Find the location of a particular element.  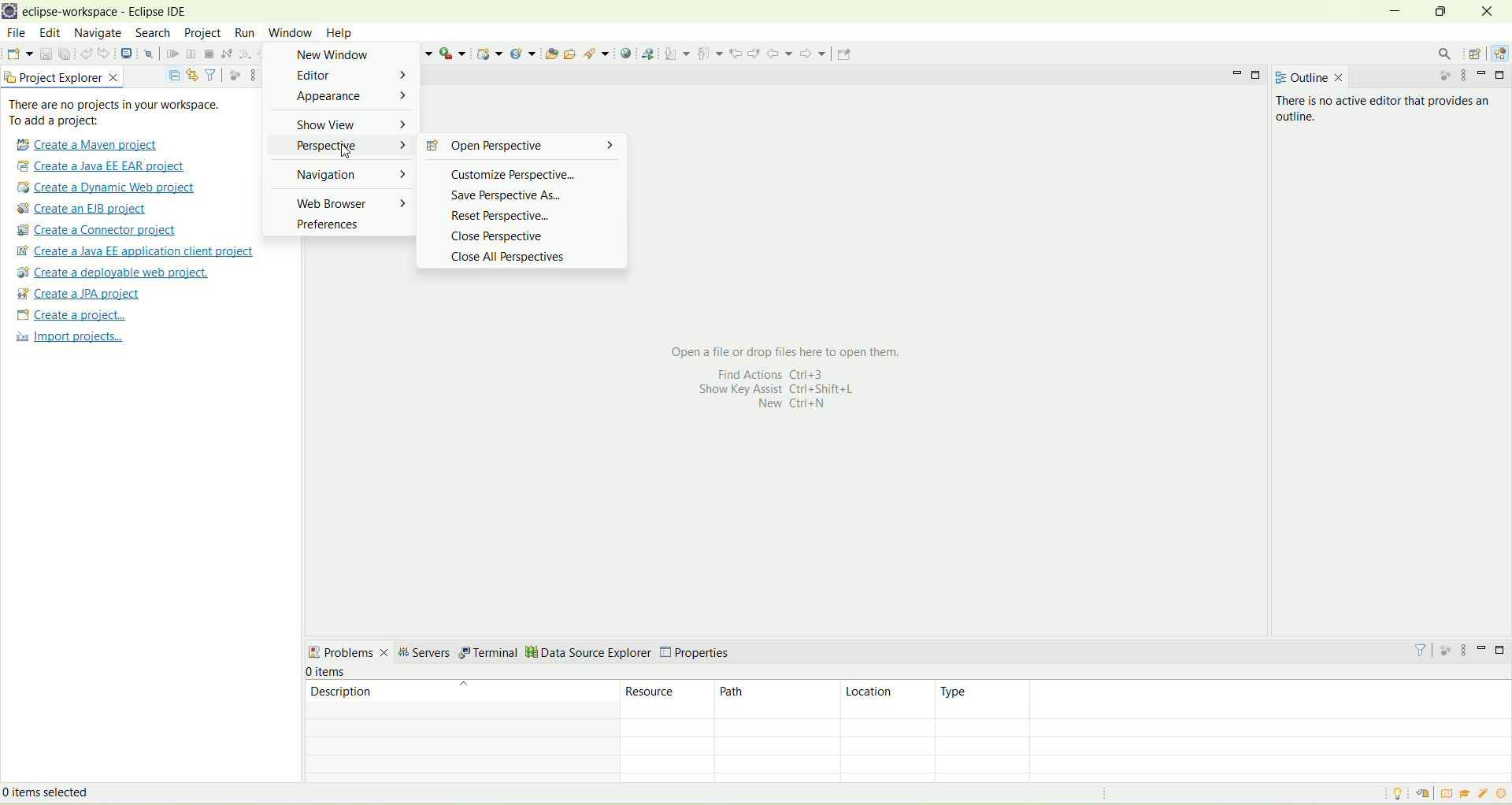

eclipse workspace-Eclipse IDE is located at coordinates (110, 13).